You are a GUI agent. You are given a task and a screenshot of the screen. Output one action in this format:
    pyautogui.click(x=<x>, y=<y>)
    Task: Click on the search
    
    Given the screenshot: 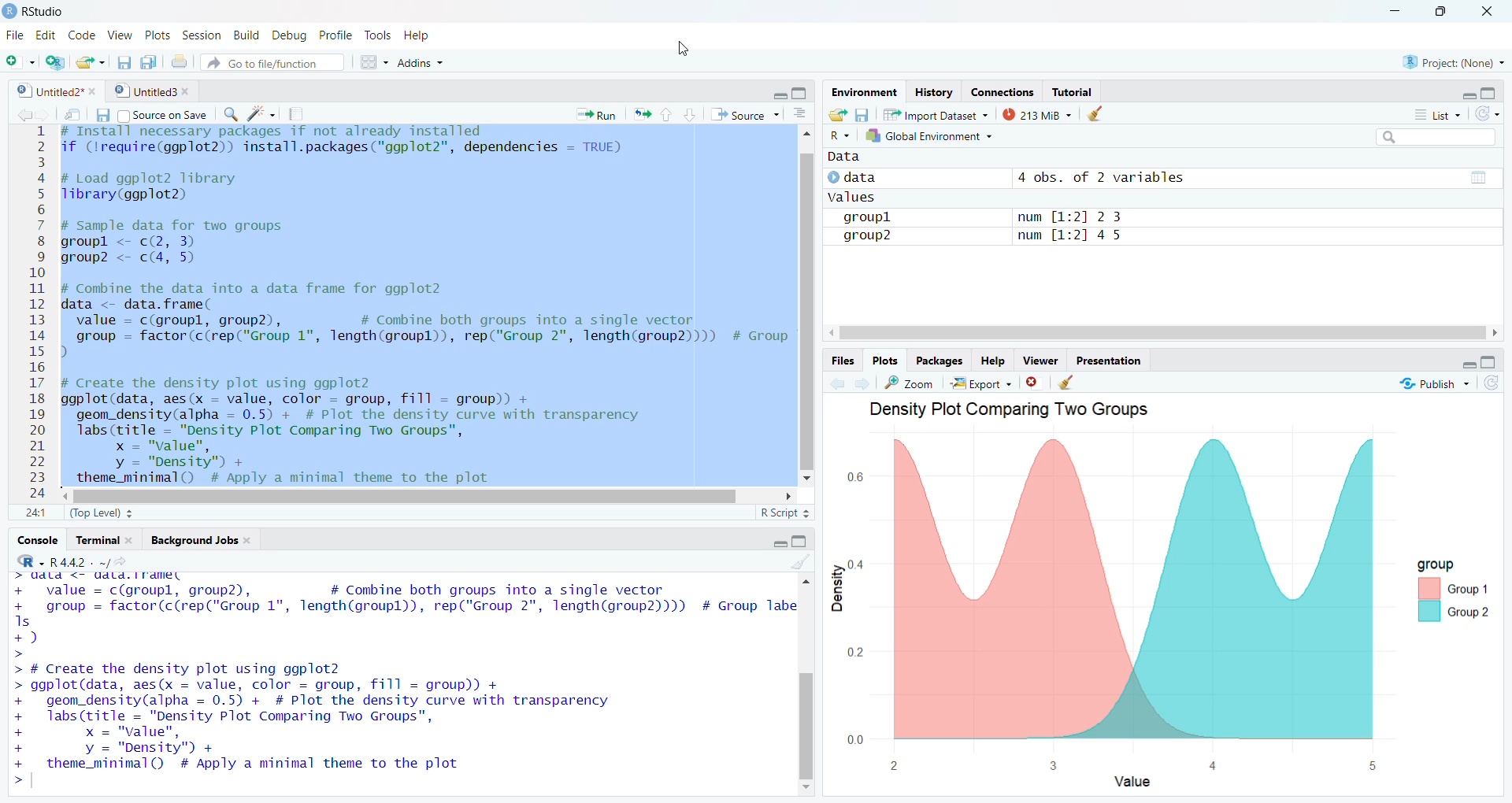 What is the action you would take?
    pyautogui.click(x=228, y=113)
    